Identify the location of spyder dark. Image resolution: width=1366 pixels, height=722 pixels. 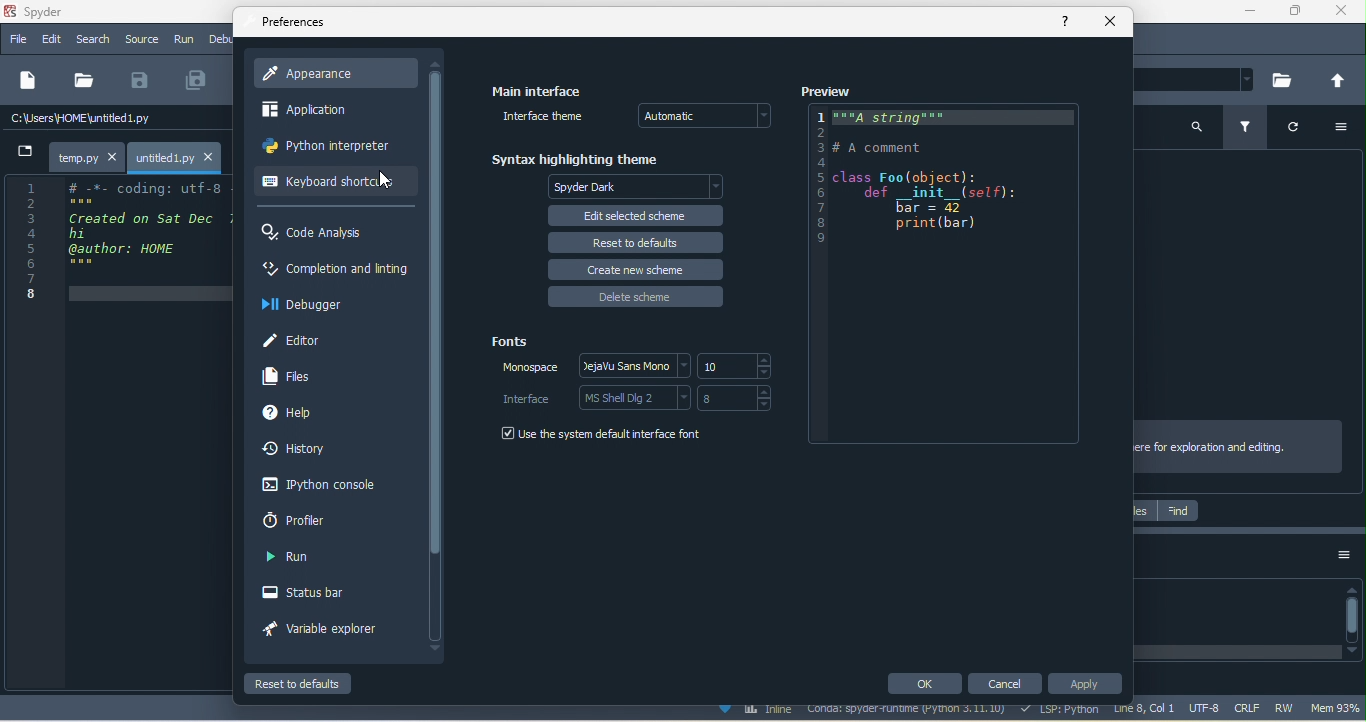
(639, 187).